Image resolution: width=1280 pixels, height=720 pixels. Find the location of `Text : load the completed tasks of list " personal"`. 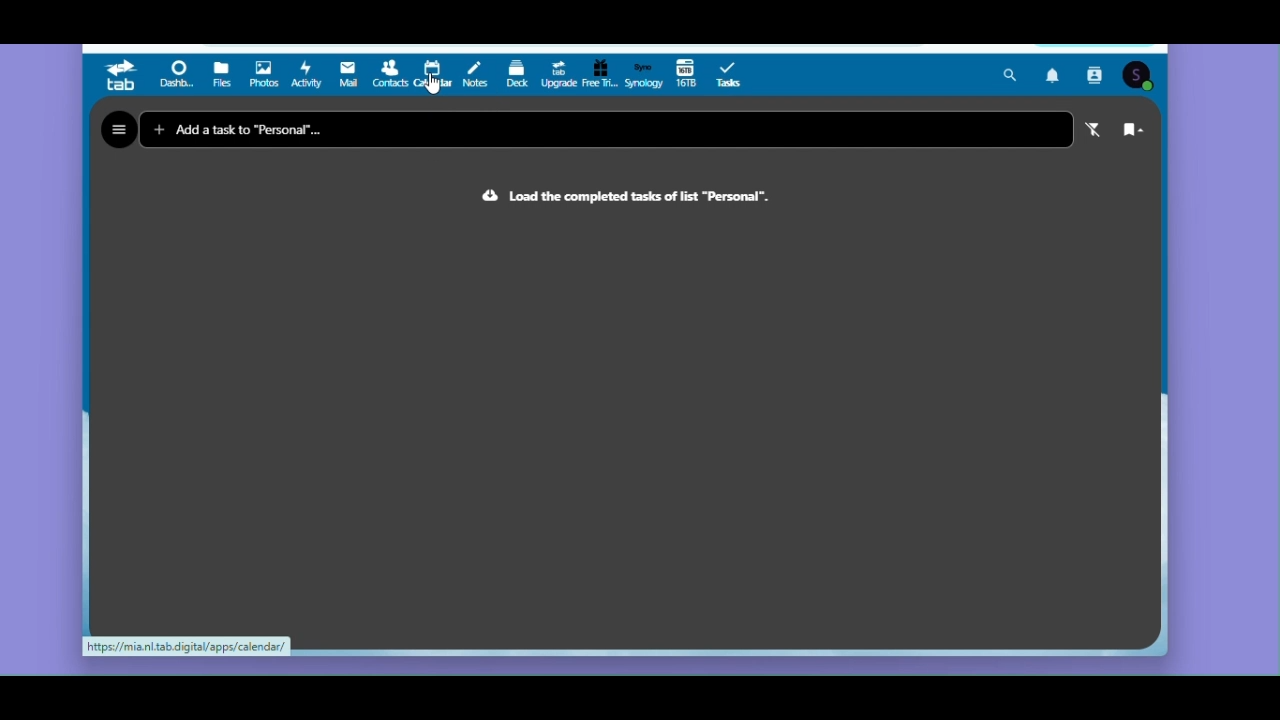

Text : load the completed tasks of list " personal" is located at coordinates (629, 201).